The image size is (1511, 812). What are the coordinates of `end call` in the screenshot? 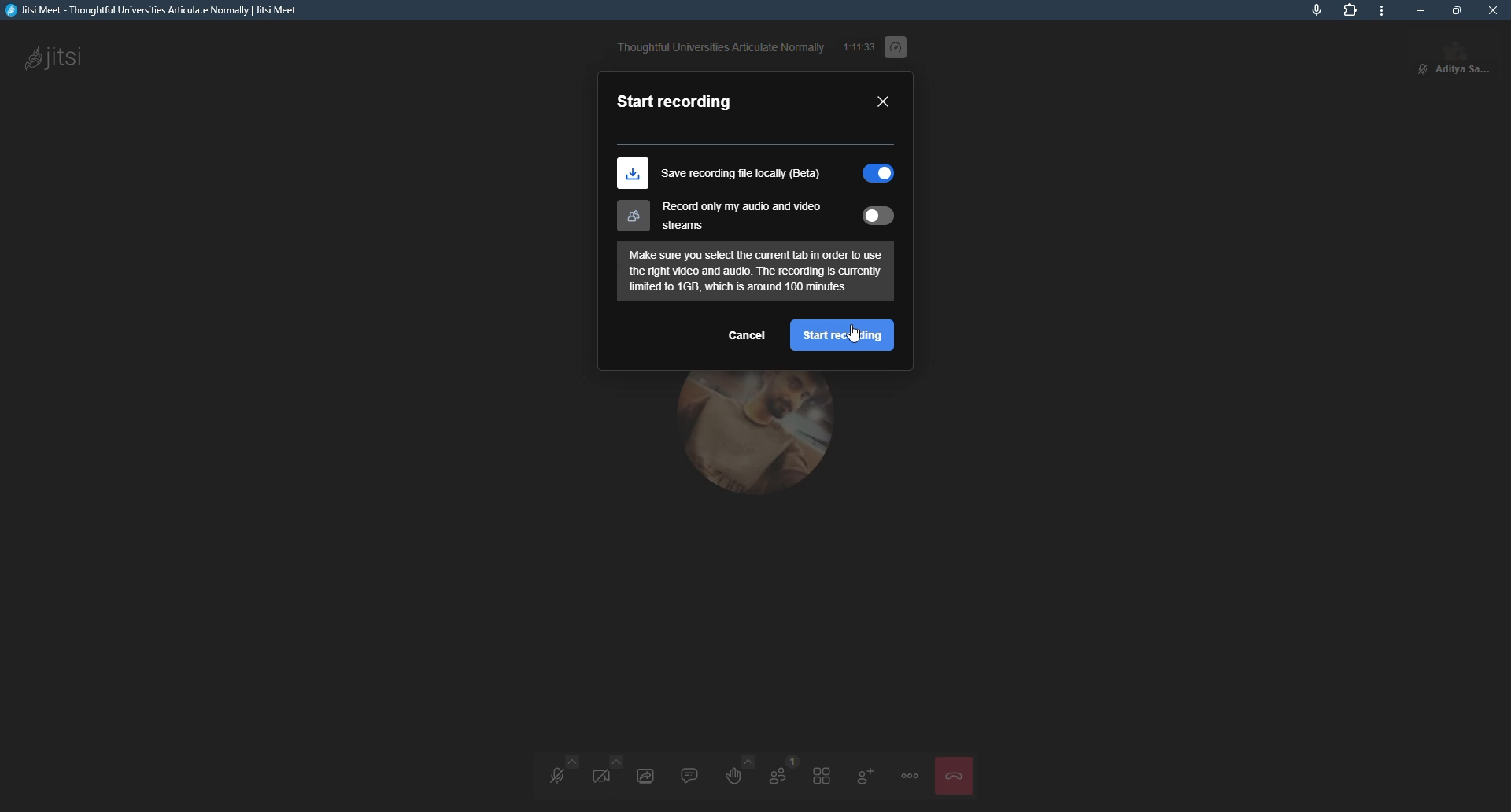 It's located at (955, 778).